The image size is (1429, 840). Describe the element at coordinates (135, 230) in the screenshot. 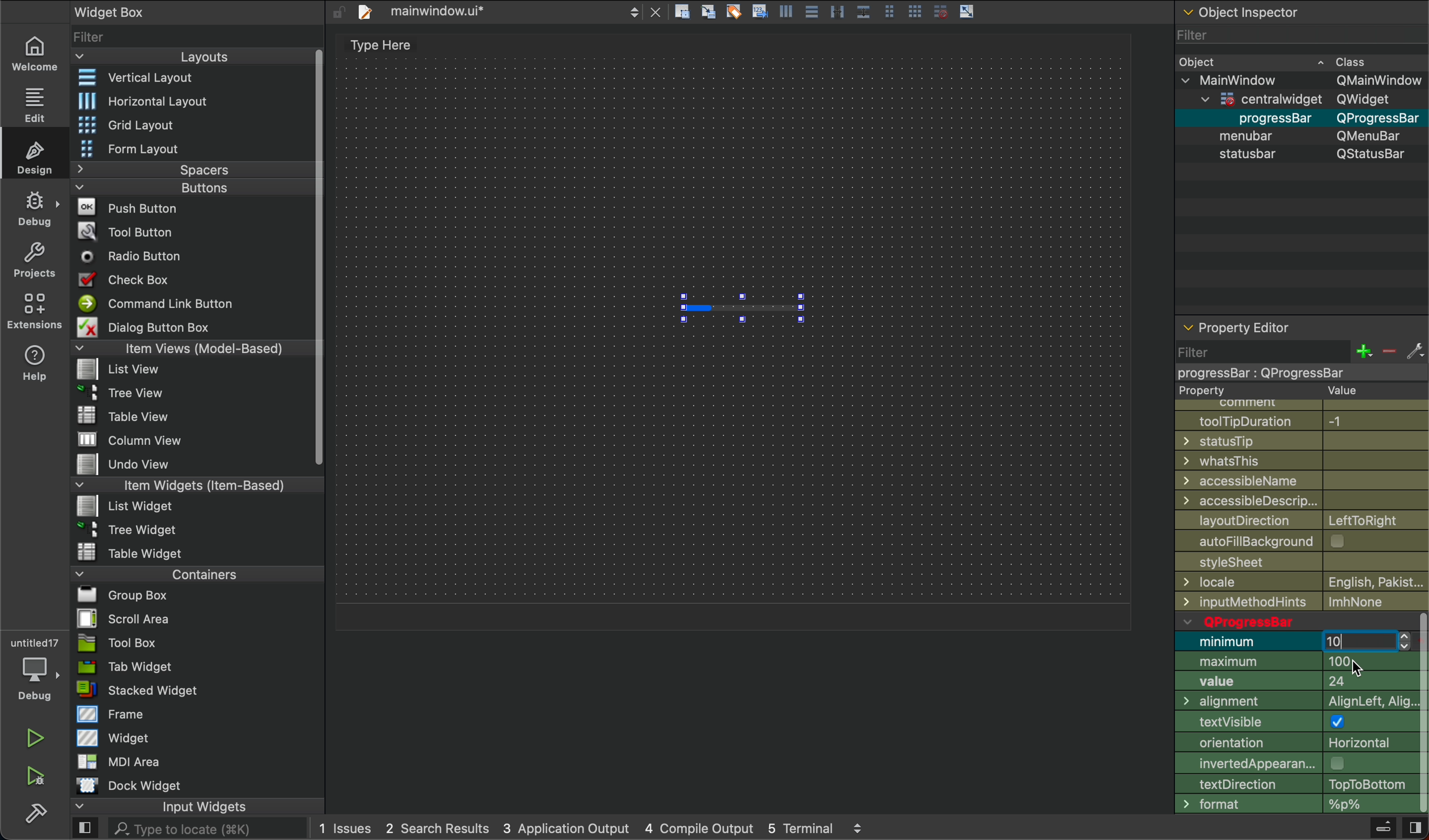

I see `Tool Button` at that location.